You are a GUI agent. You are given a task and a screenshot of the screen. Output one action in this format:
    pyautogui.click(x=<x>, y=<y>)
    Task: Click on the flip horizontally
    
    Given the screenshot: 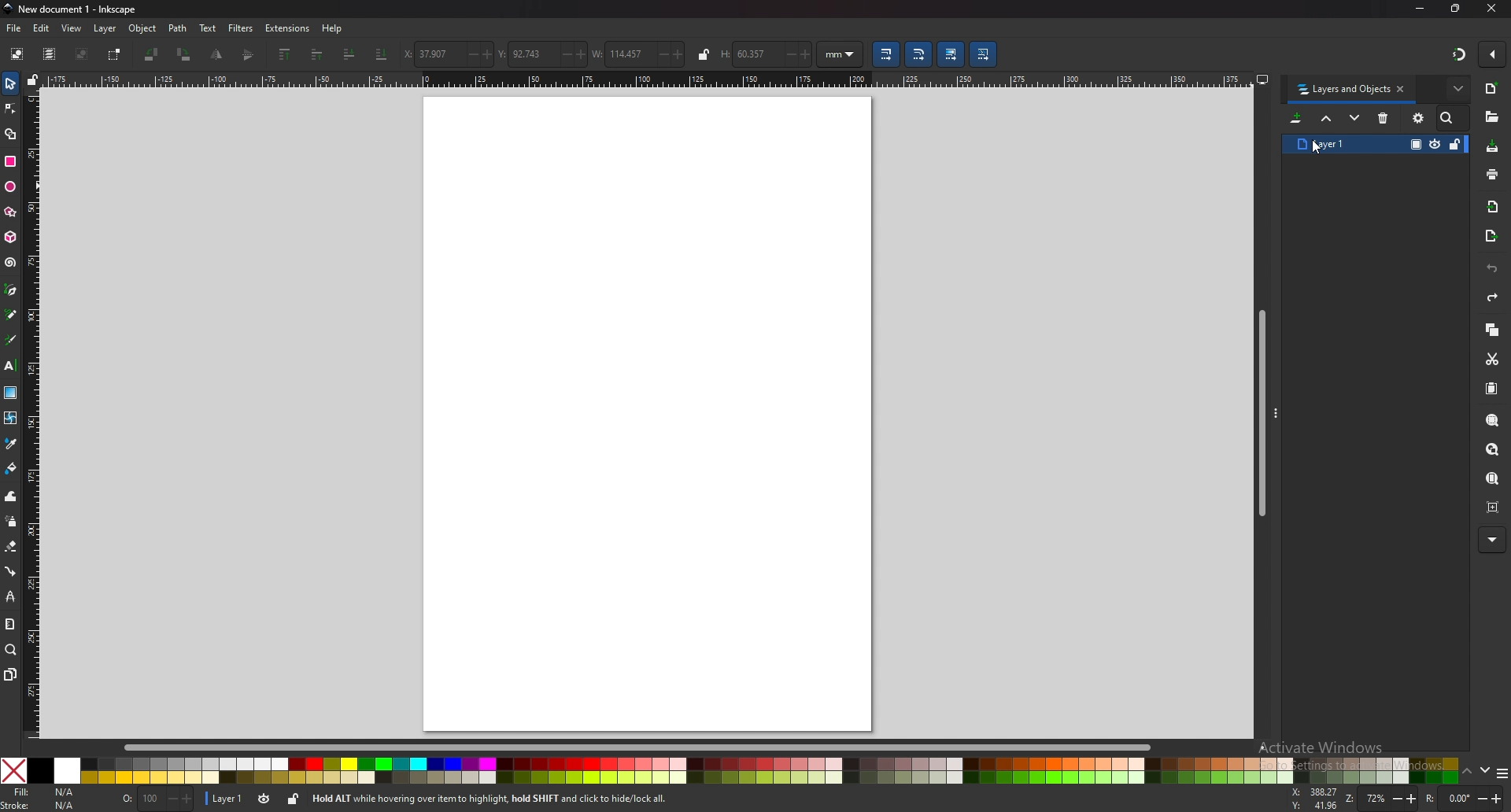 What is the action you would take?
    pyautogui.click(x=249, y=55)
    